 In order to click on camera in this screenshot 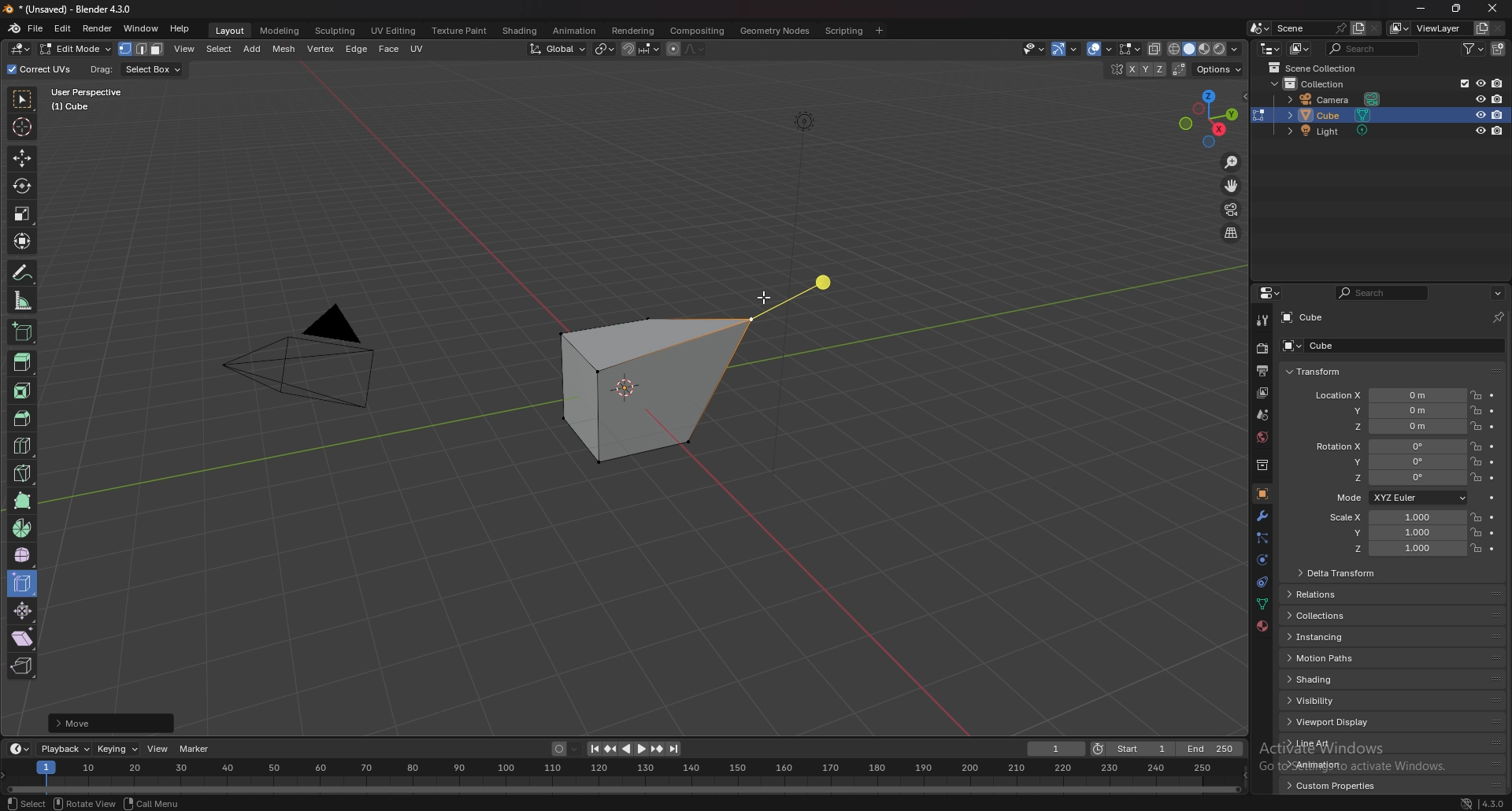, I will do `click(1338, 98)`.